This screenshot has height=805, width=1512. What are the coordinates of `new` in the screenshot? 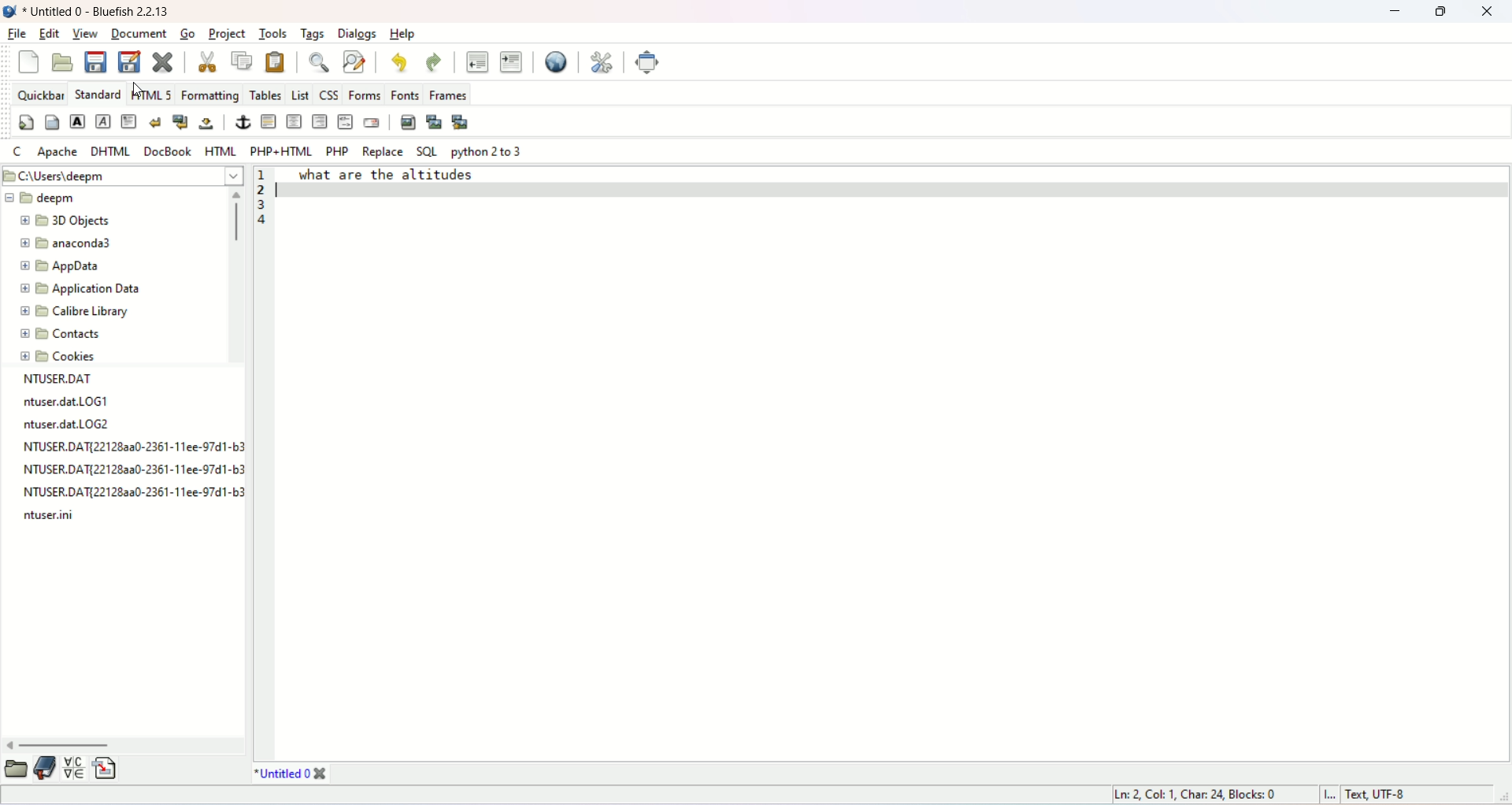 It's located at (25, 63).